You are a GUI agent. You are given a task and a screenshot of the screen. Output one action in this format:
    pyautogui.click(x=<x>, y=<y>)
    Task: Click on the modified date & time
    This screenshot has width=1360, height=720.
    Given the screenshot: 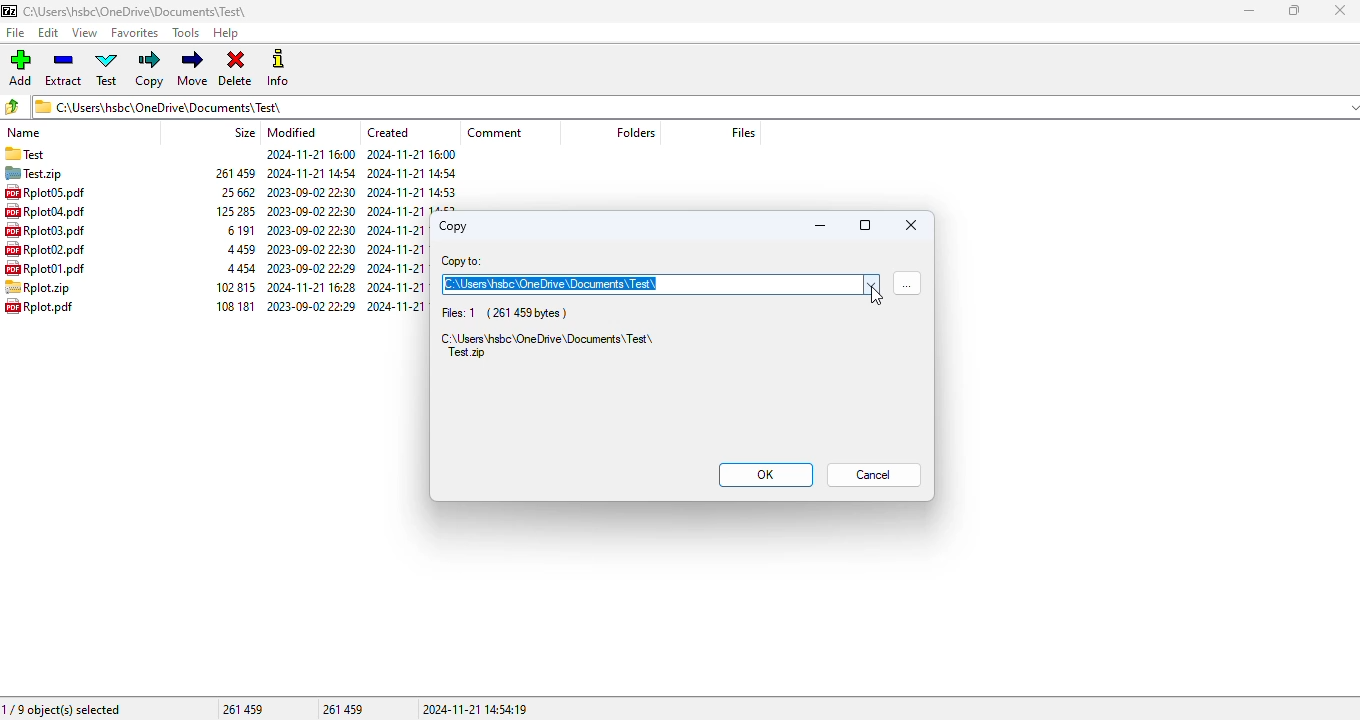 What is the action you would take?
    pyautogui.click(x=310, y=173)
    